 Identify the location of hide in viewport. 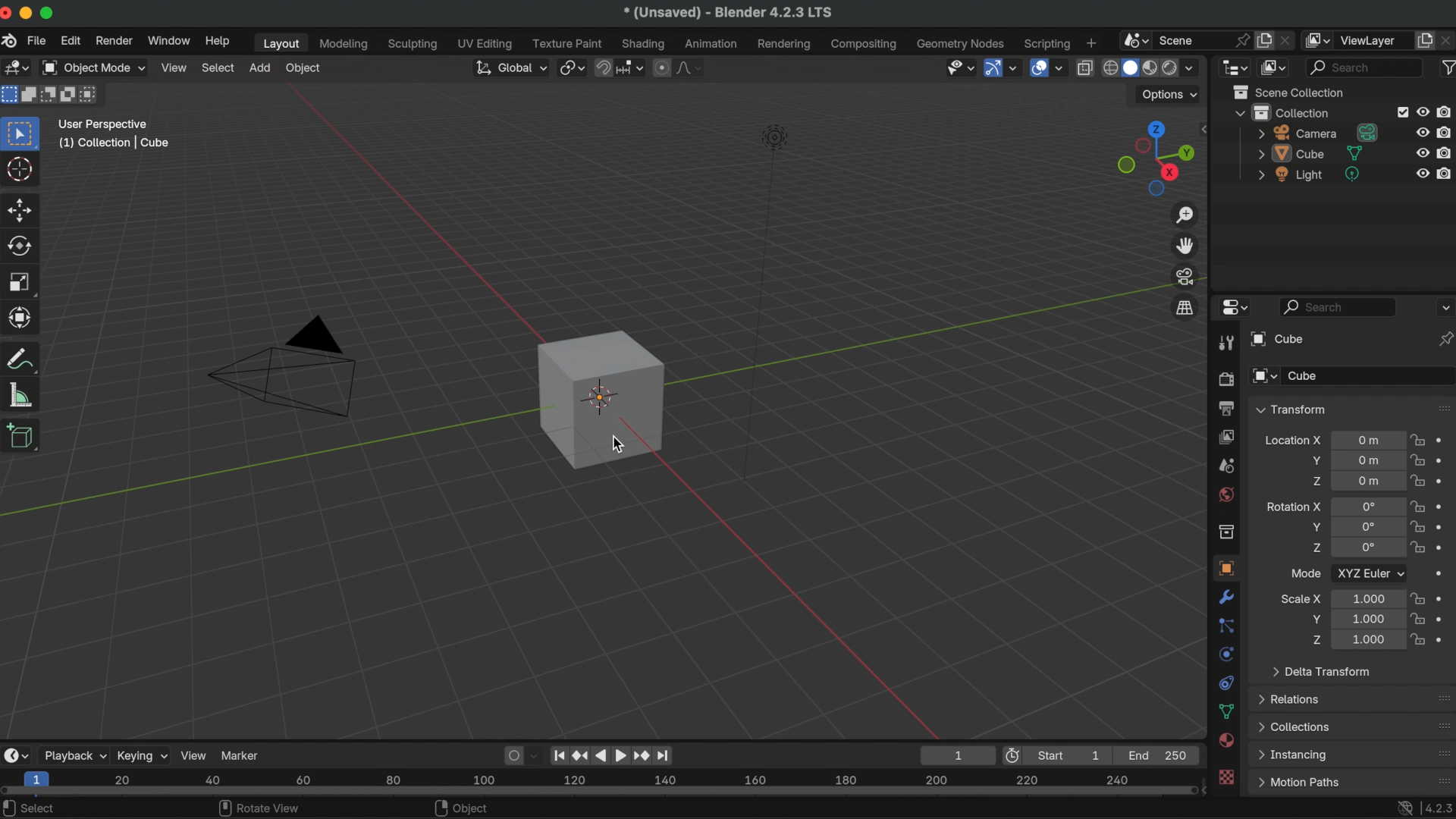
(1423, 131).